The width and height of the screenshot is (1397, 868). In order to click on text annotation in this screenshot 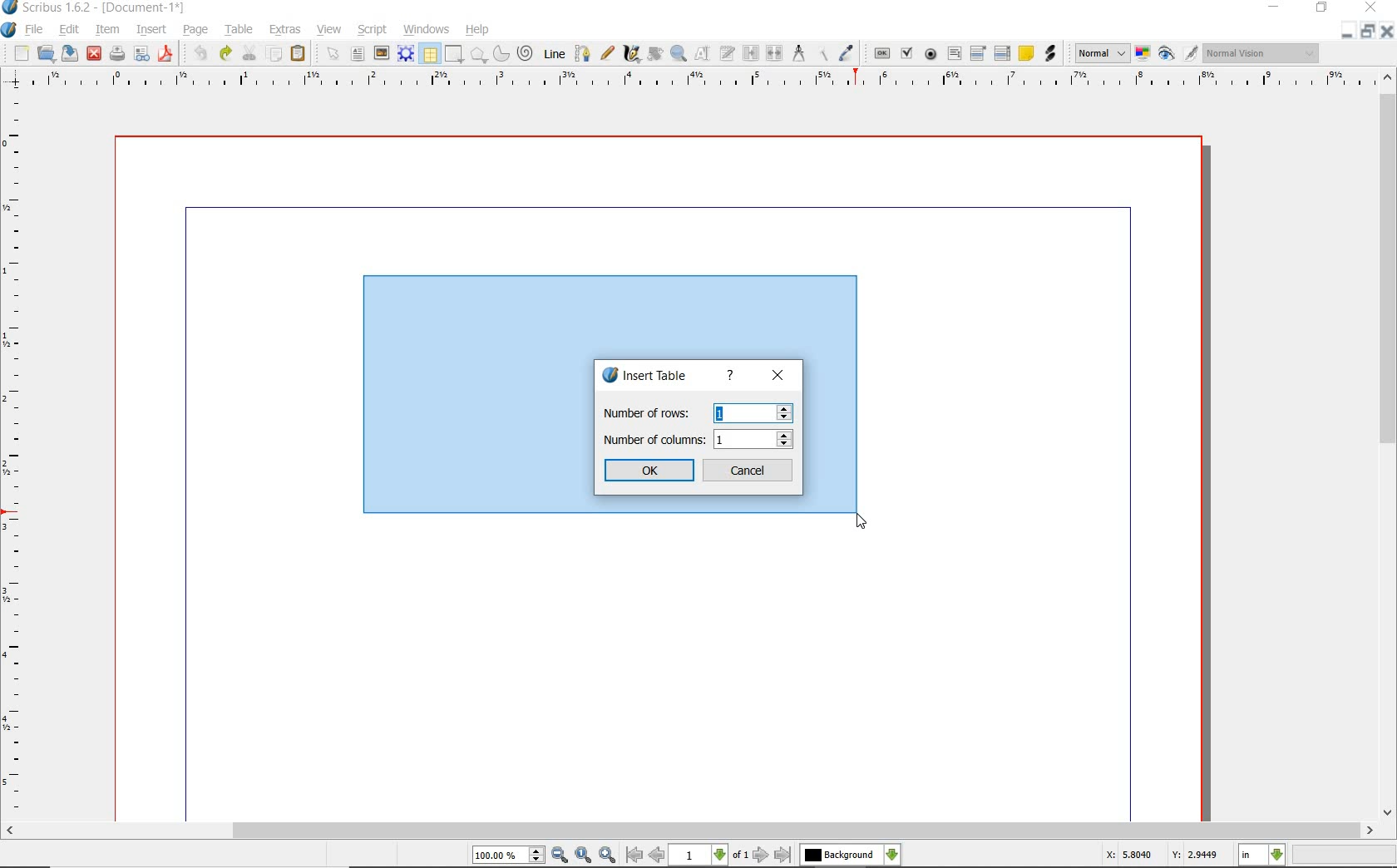, I will do `click(1027, 54)`.